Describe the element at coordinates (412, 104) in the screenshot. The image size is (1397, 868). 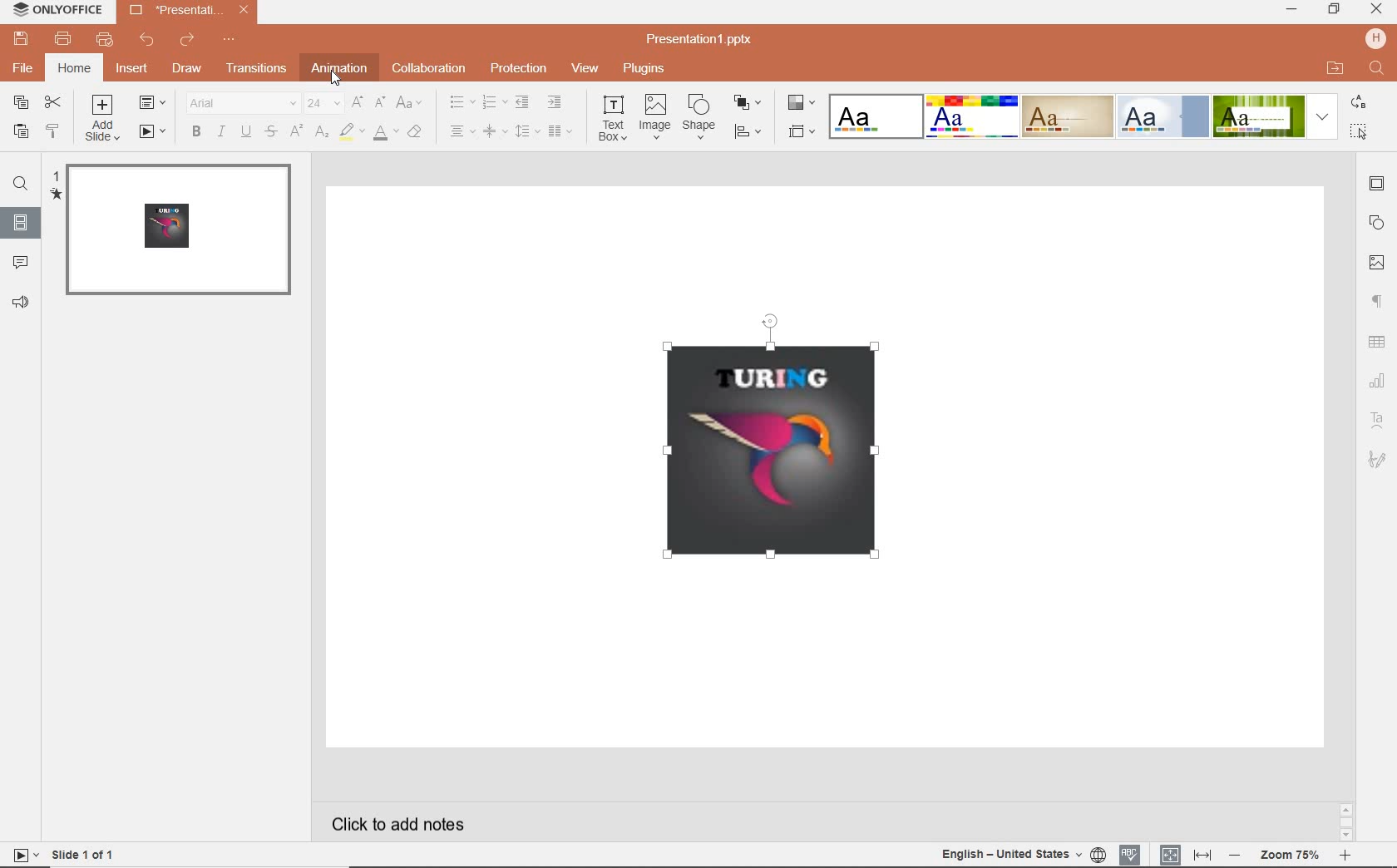
I see `change case` at that location.